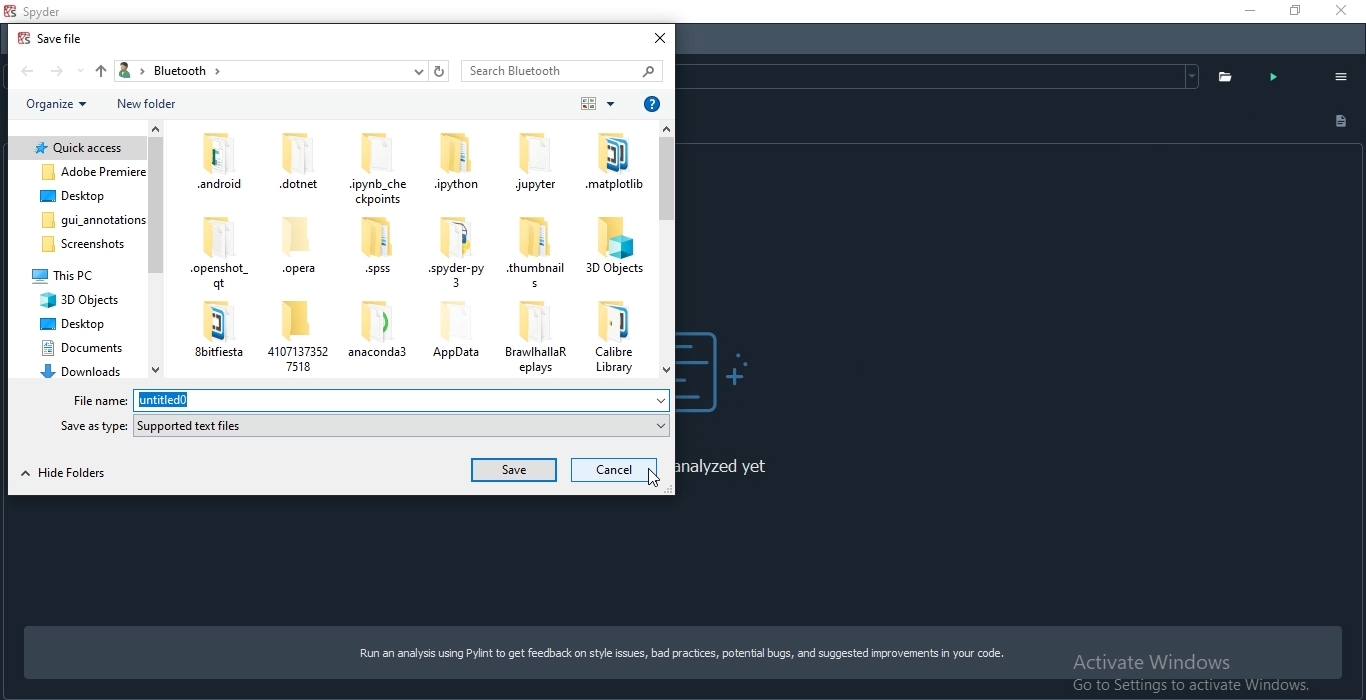 This screenshot has height=700, width=1366. I want to click on Run an analysis using Pylint to get feedback on style issues, bad practices, potential bugs, and suggested improvements in your code., so click(677, 655).